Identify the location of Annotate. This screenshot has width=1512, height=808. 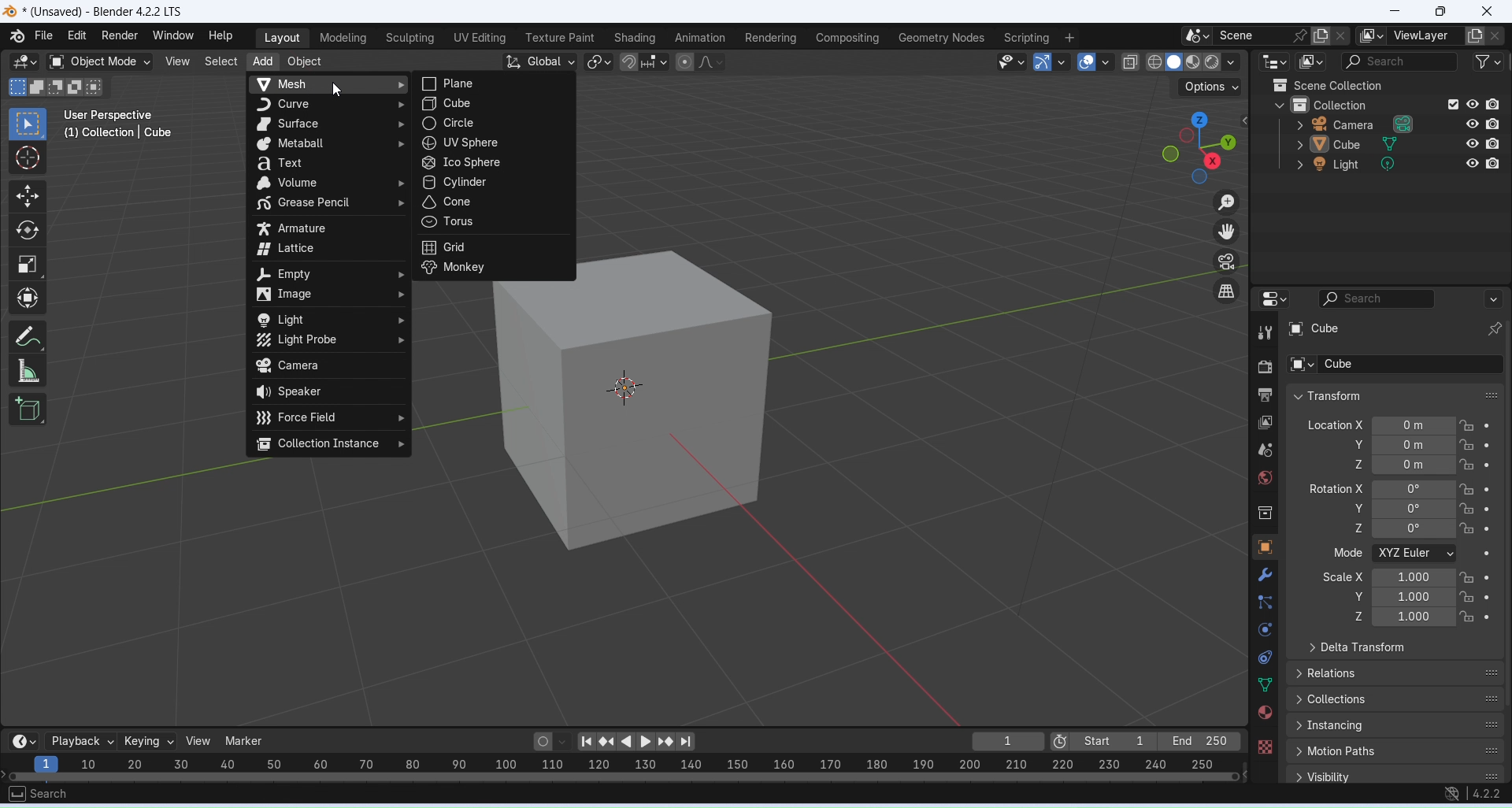
(29, 336).